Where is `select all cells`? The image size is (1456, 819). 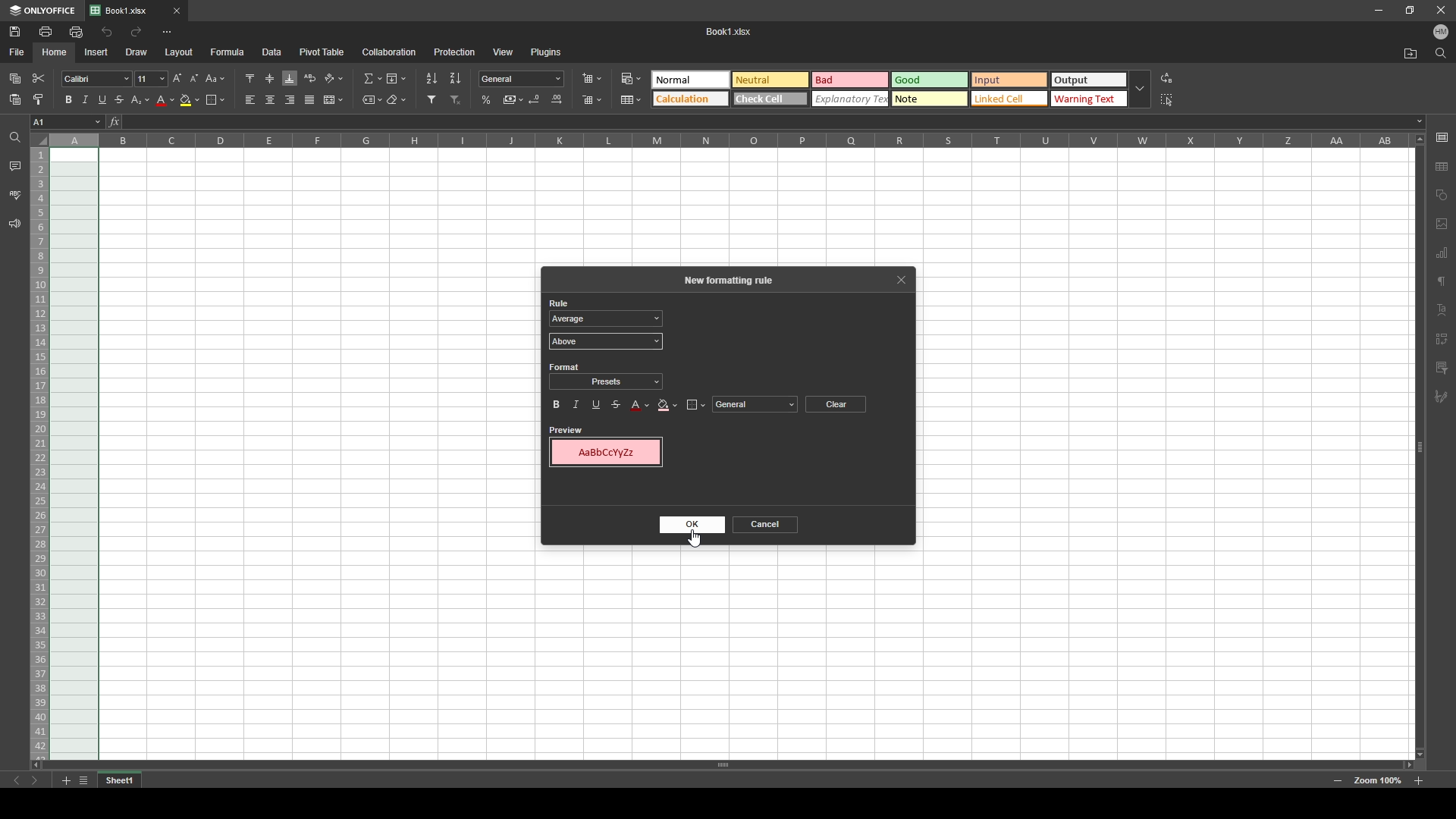 select all cells is located at coordinates (39, 139).